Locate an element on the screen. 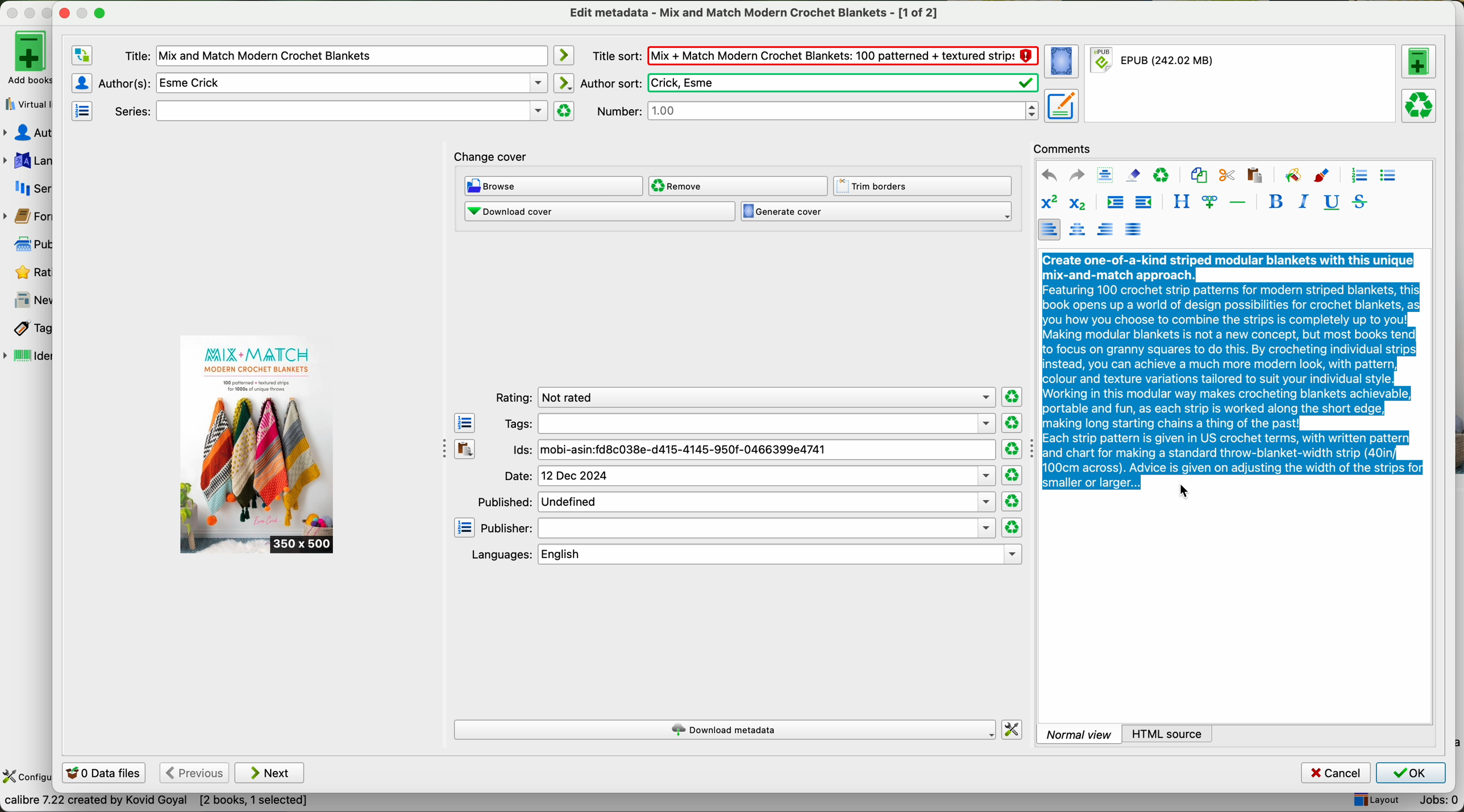 Image resolution: width=1464 pixels, height=812 pixels. style the selected text block is located at coordinates (1180, 202).